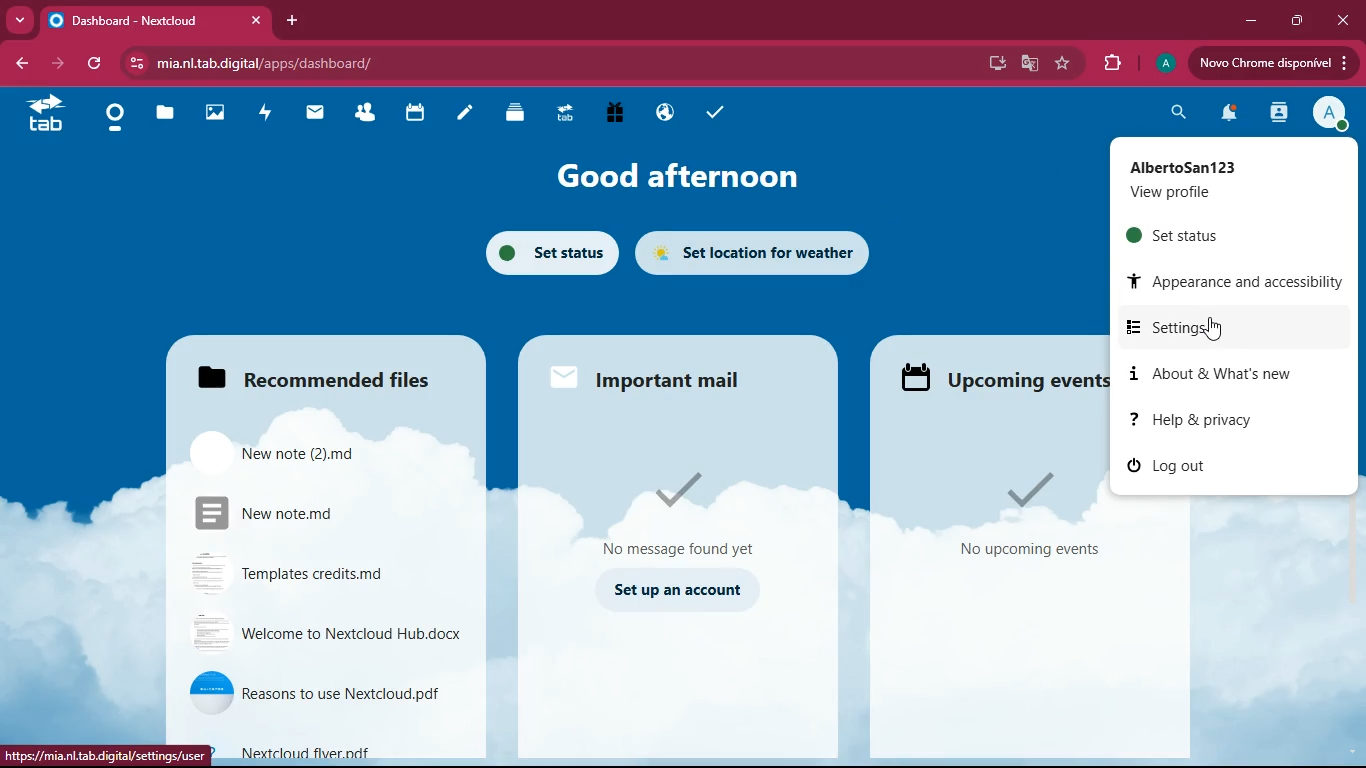 The width and height of the screenshot is (1366, 768). What do you see at coordinates (308, 112) in the screenshot?
I see `mail` at bounding box center [308, 112].